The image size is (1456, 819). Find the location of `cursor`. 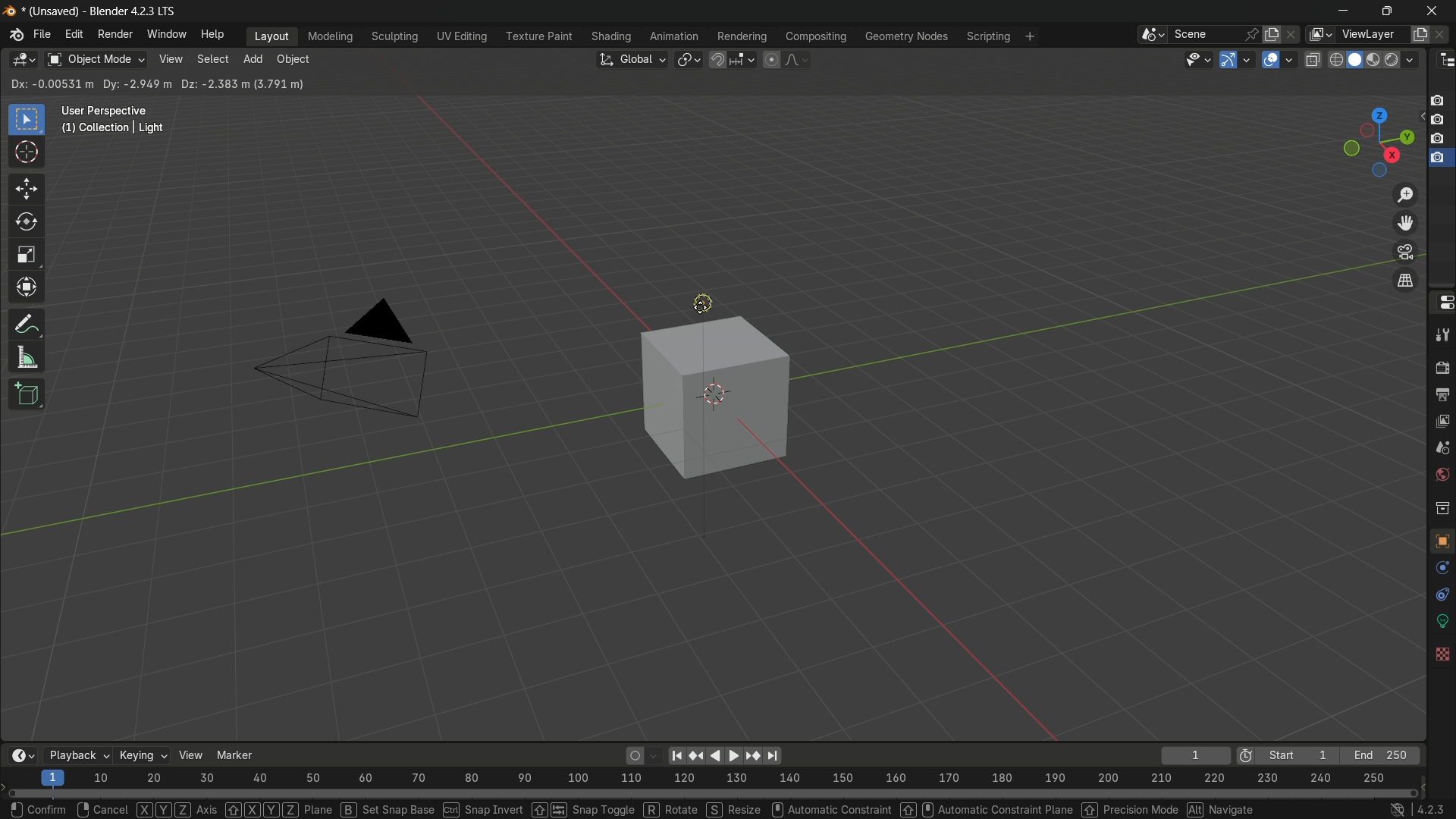

cursor is located at coordinates (28, 155).